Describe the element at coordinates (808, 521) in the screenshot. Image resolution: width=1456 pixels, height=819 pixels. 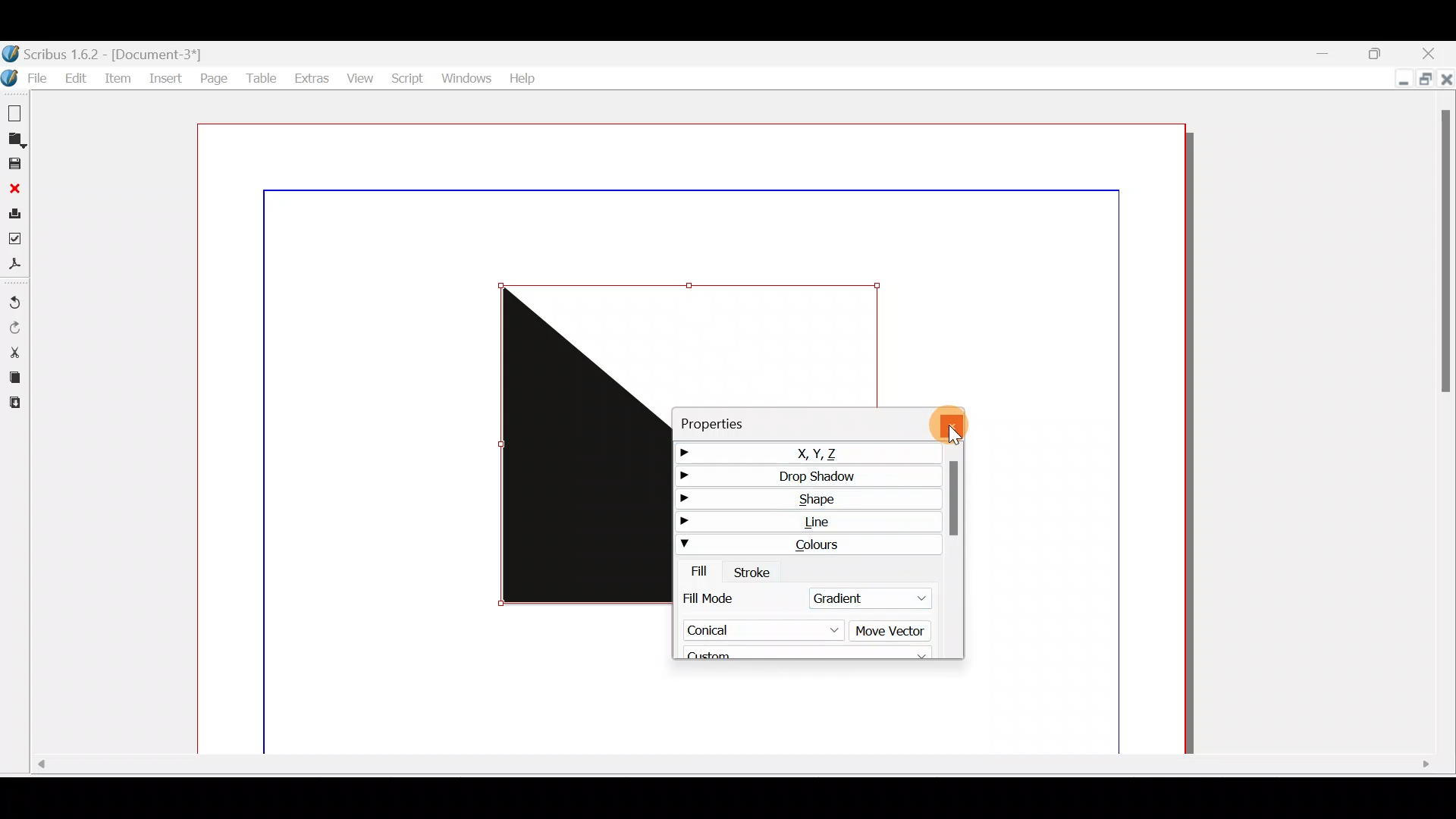
I see `Line` at that location.